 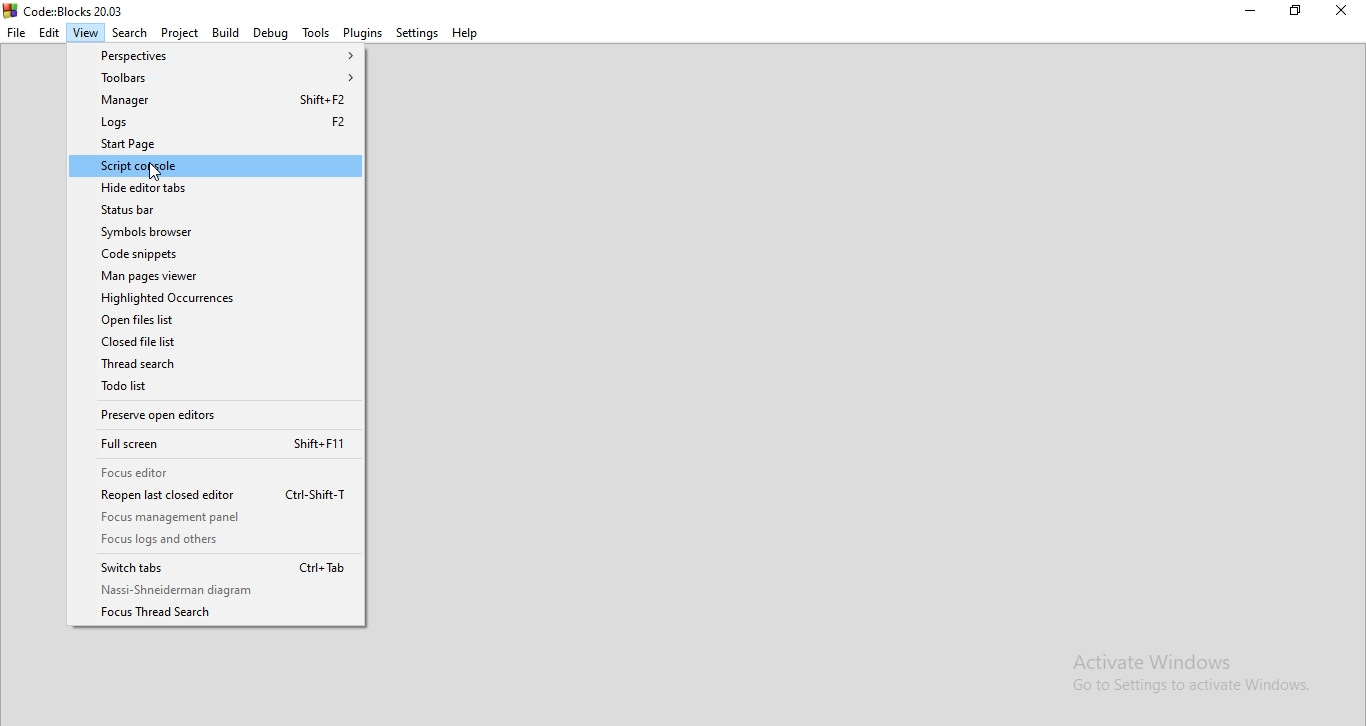 What do you see at coordinates (219, 366) in the screenshot?
I see `Thread search` at bounding box center [219, 366].